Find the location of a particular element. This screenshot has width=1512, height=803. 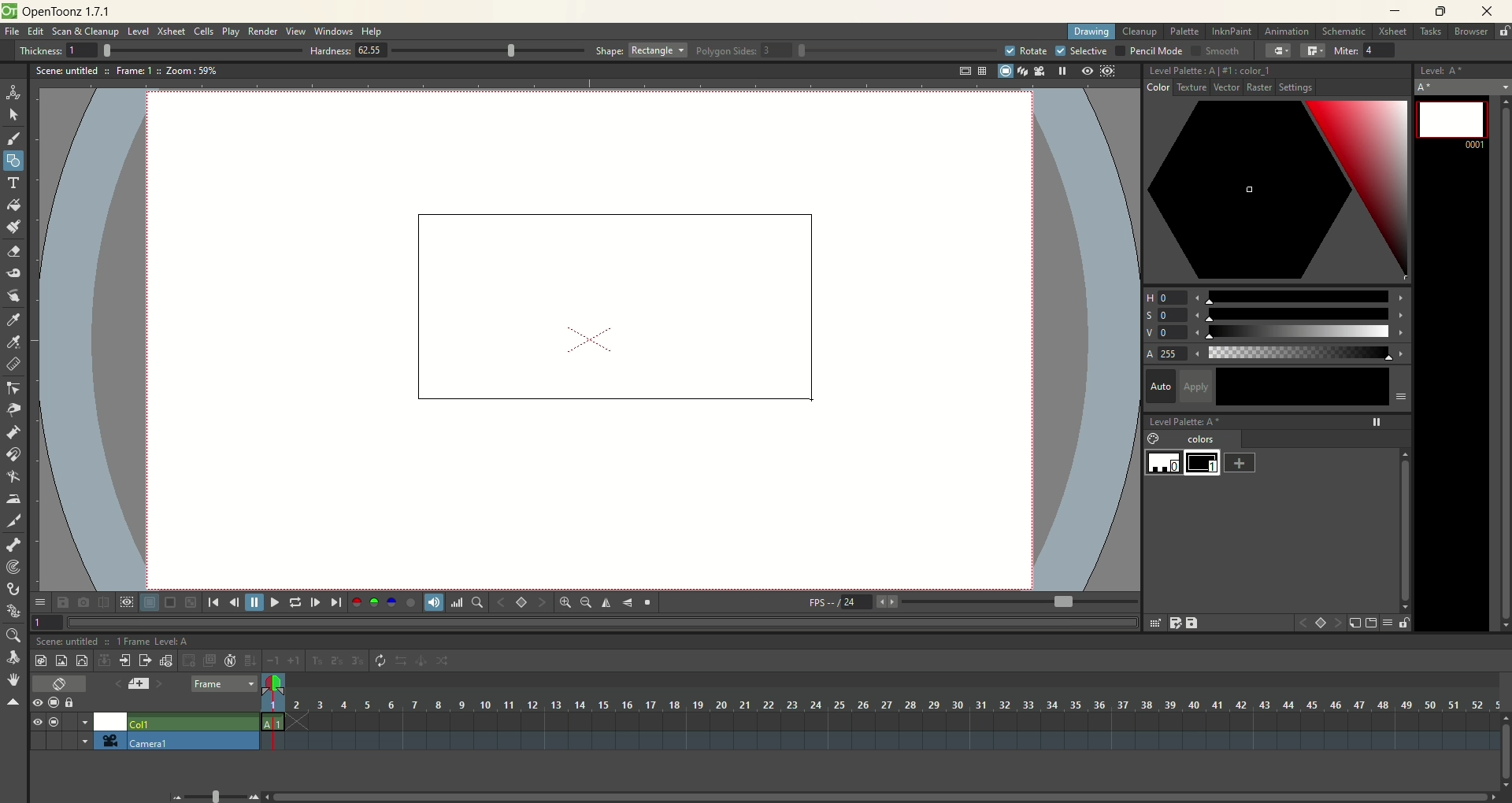

skeleton is located at coordinates (12, 543).